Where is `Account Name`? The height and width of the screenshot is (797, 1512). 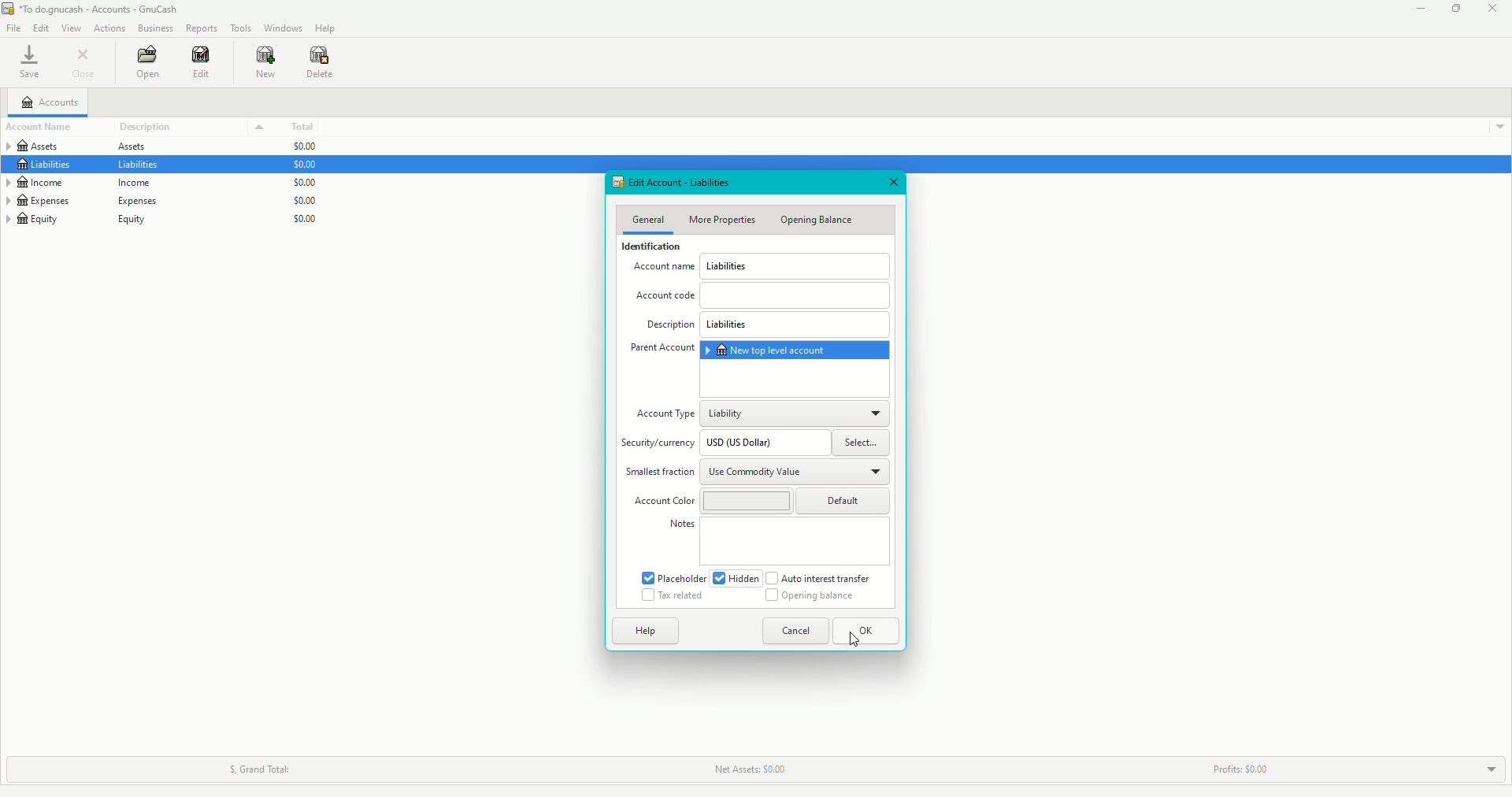 Account Name is located at coordinates (665, 269).